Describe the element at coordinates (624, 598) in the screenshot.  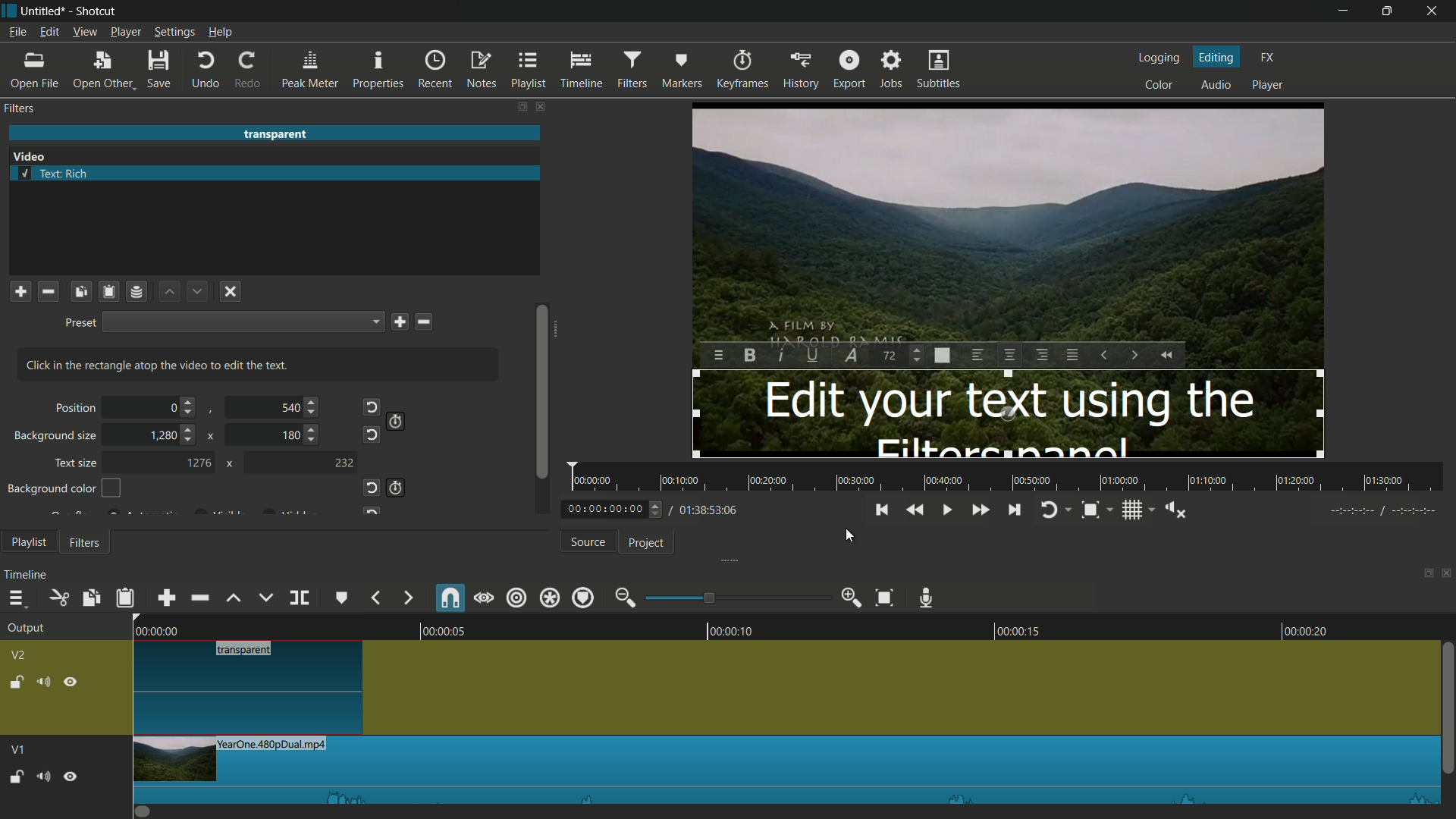
I see `zoom out` at that location.